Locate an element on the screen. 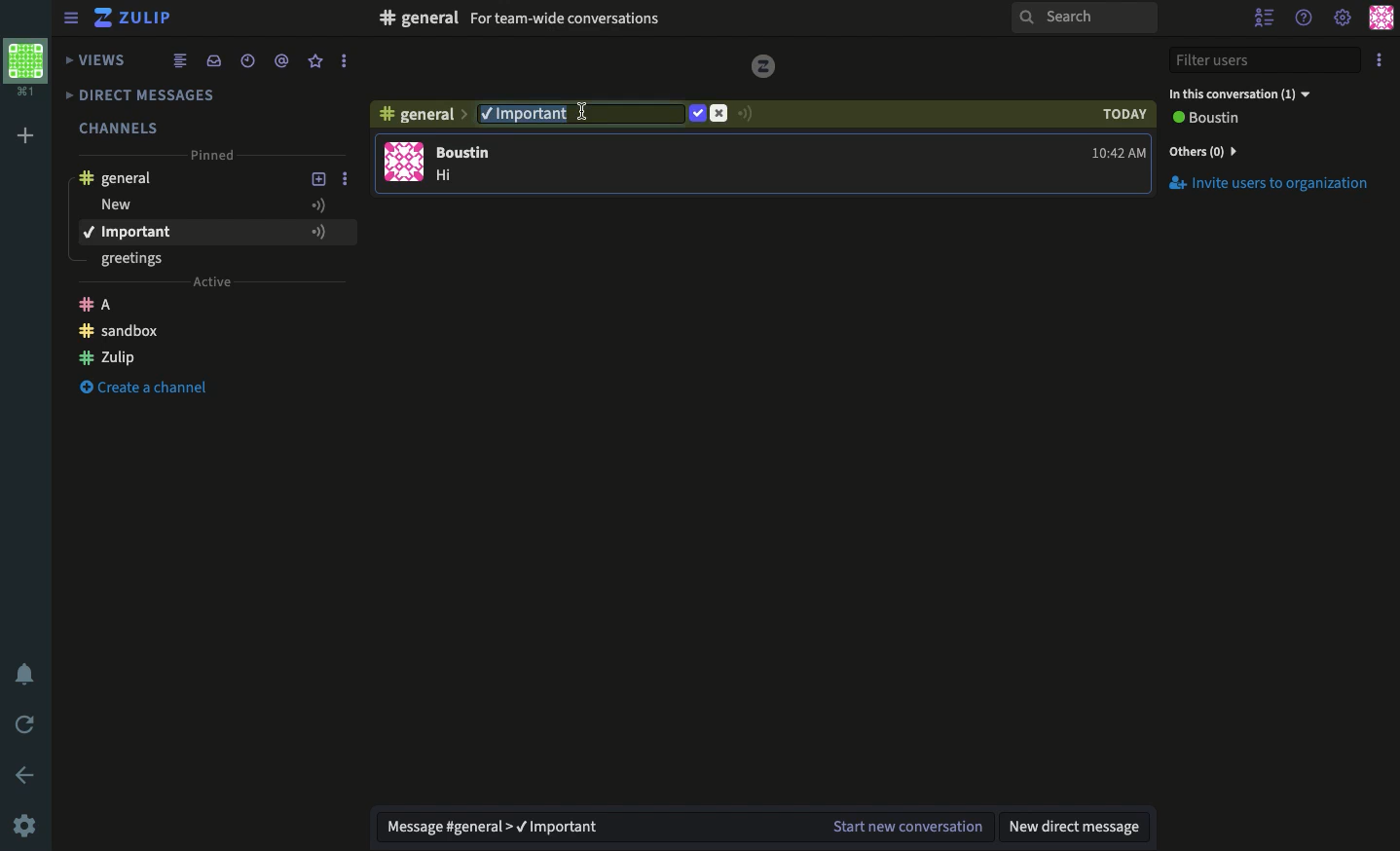  Edit is located at coordinates (583, 111).